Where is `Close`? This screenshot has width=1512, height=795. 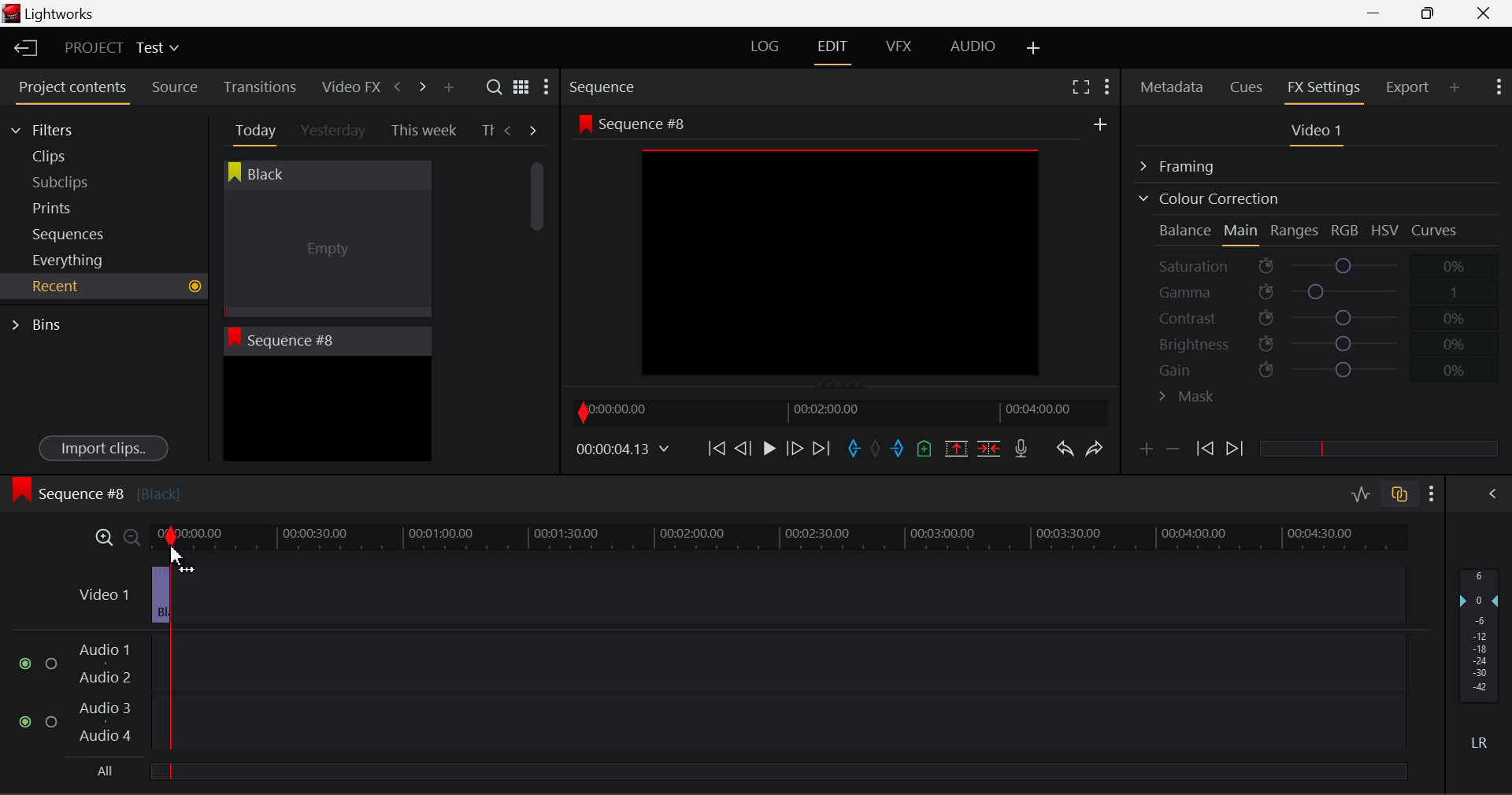
Close is located at coordinates (1487, 13).